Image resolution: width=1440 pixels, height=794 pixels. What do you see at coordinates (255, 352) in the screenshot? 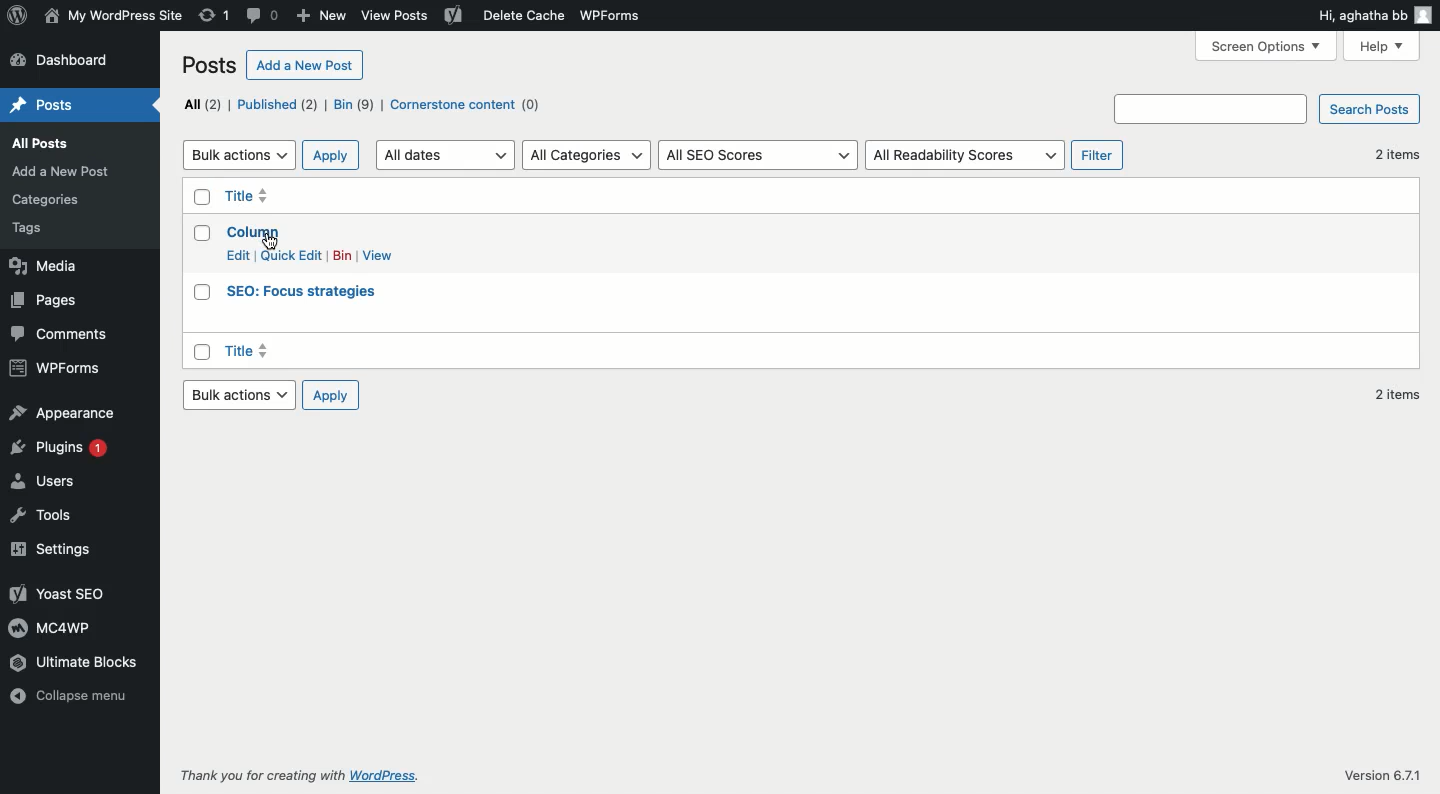
I see `Title` at bounding box center [255, 352].